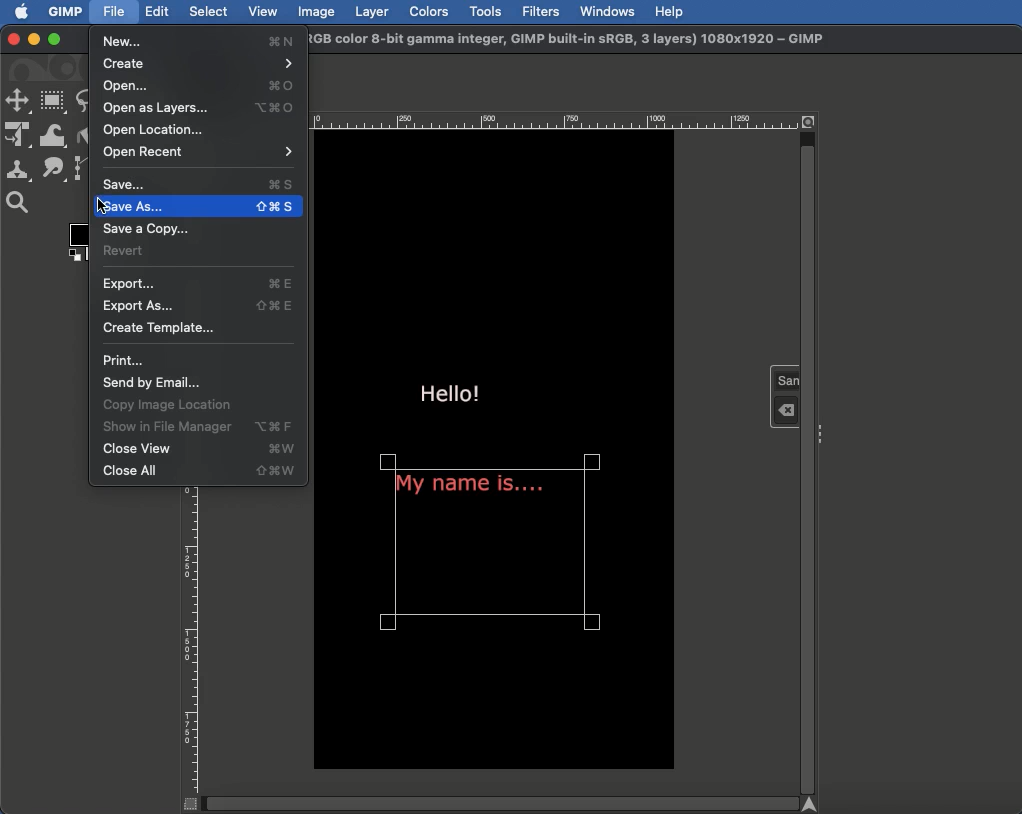  I want to click on Print, so click(123, 360).